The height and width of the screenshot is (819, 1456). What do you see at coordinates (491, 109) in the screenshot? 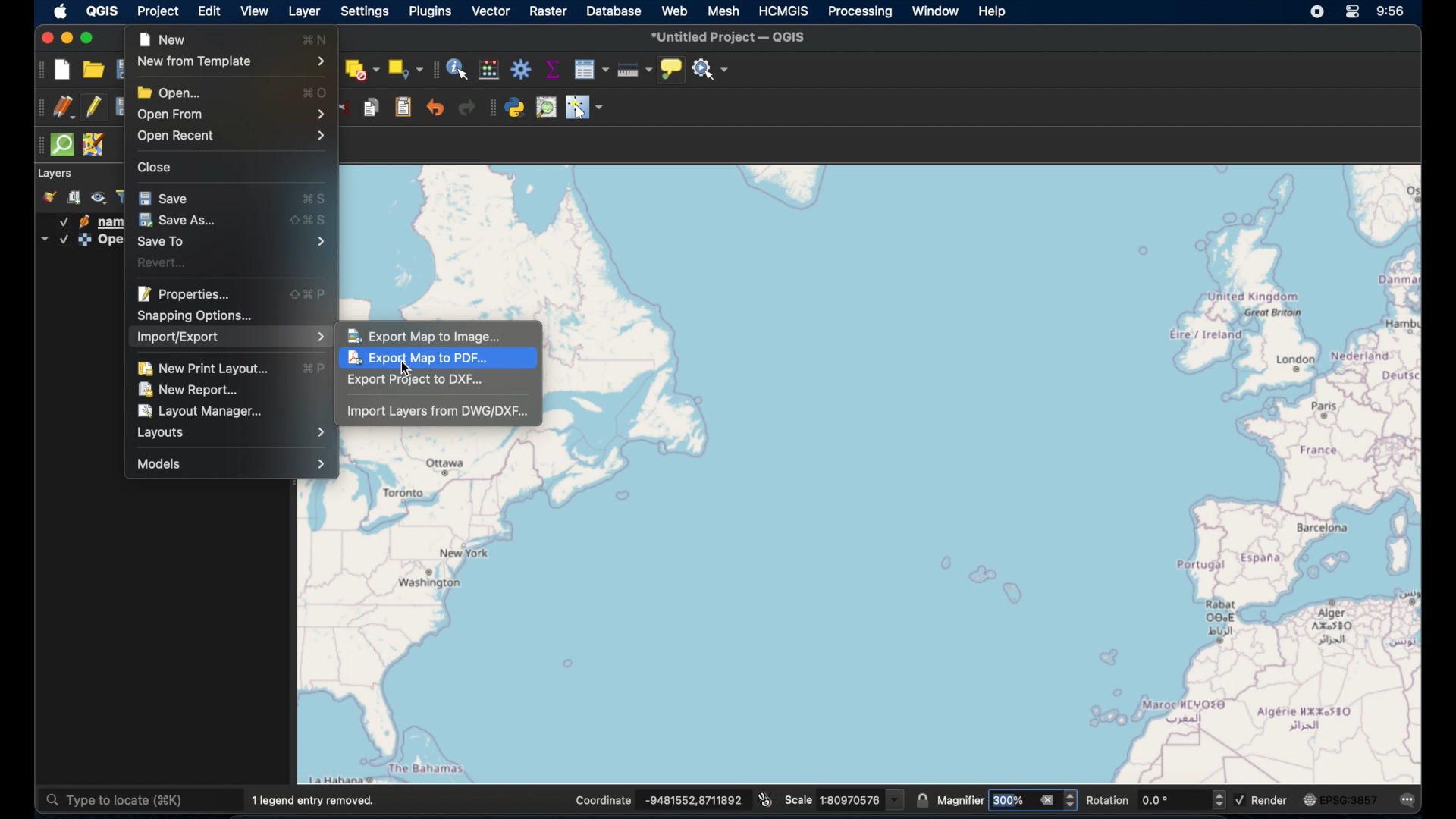
I see `plugin toolbar` at bounding box center [491, 109].